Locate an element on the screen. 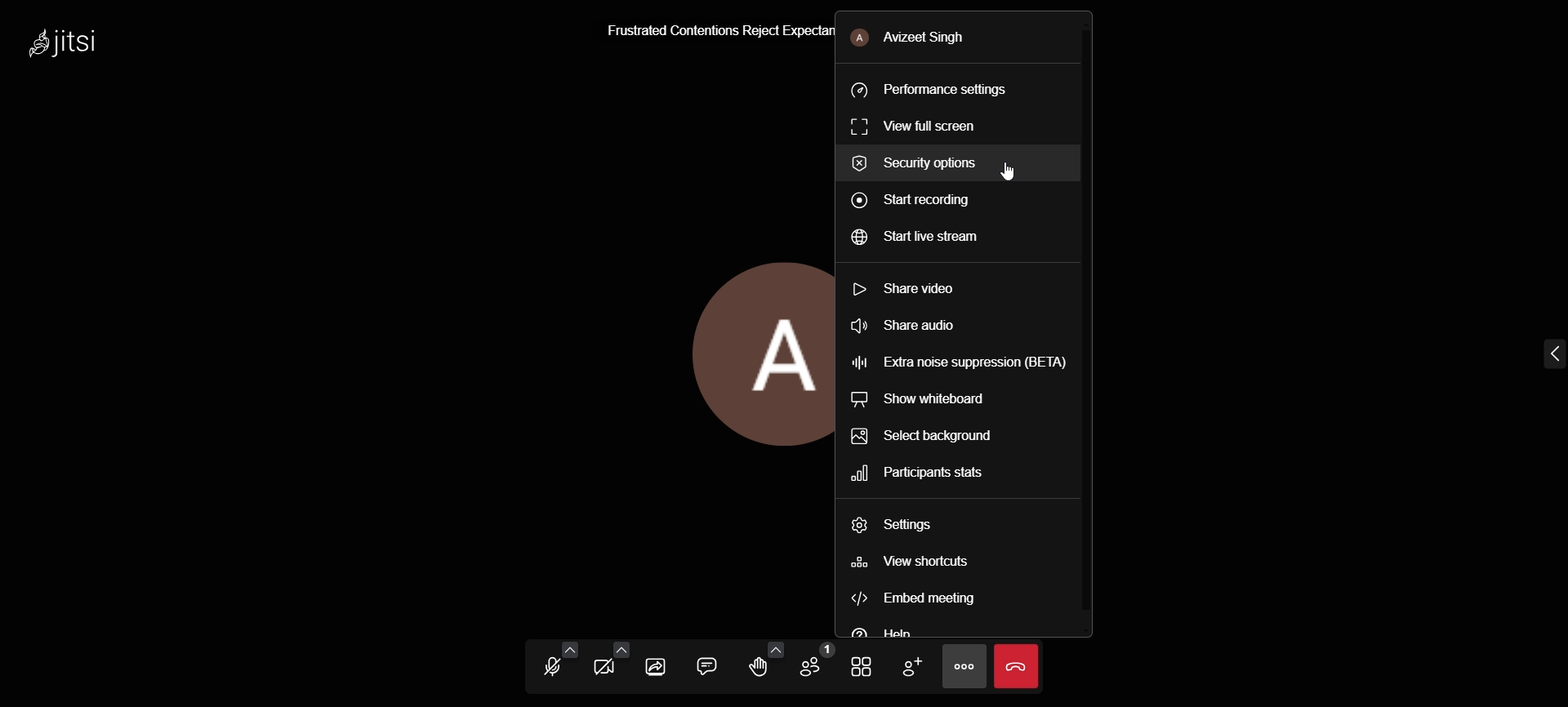 This screenshot has height=707, width=1568. participants is located at coordinates (817, 660).